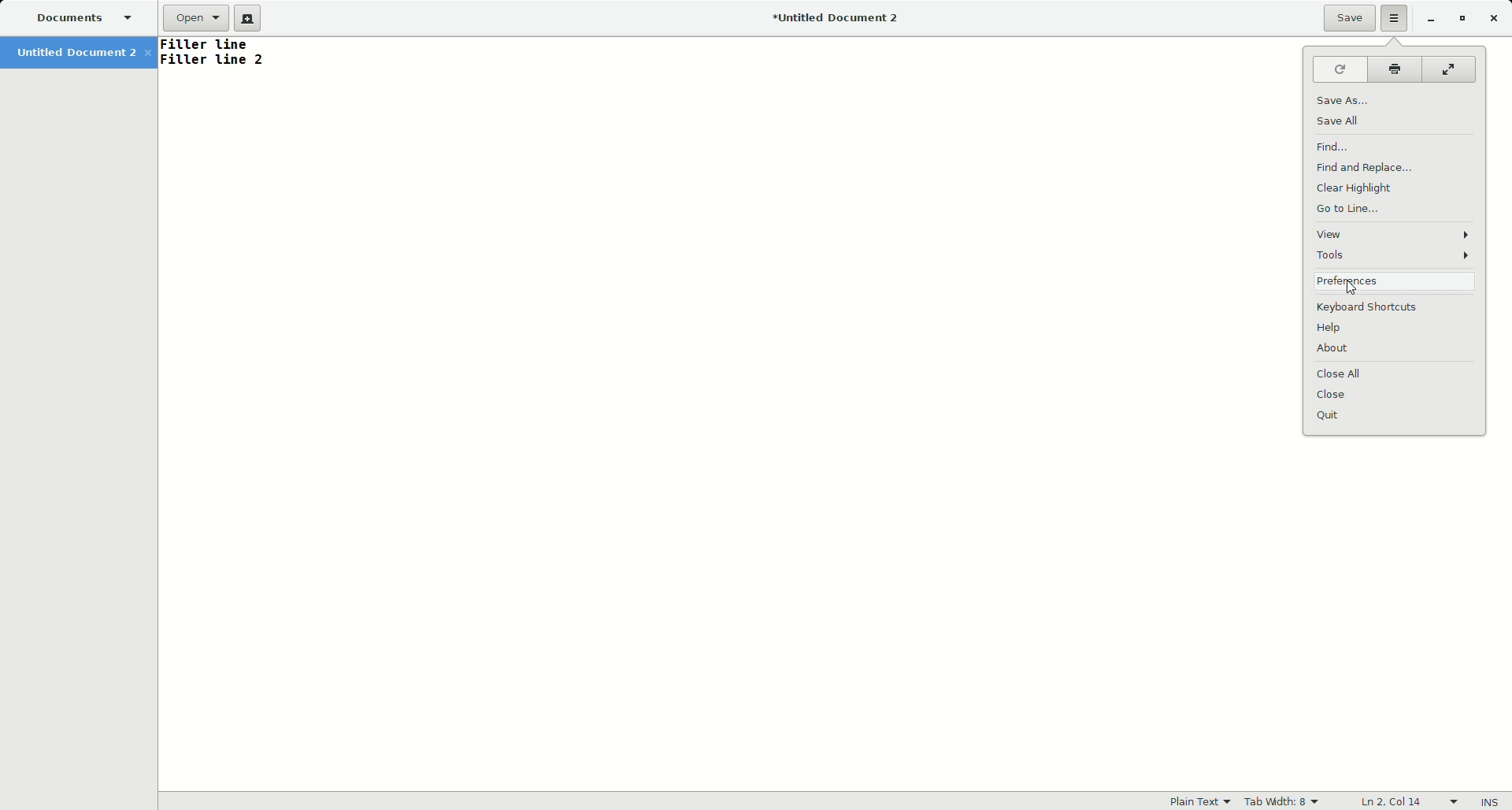  I want to click on Keyboard Shortcuts, so click(1397, 308).